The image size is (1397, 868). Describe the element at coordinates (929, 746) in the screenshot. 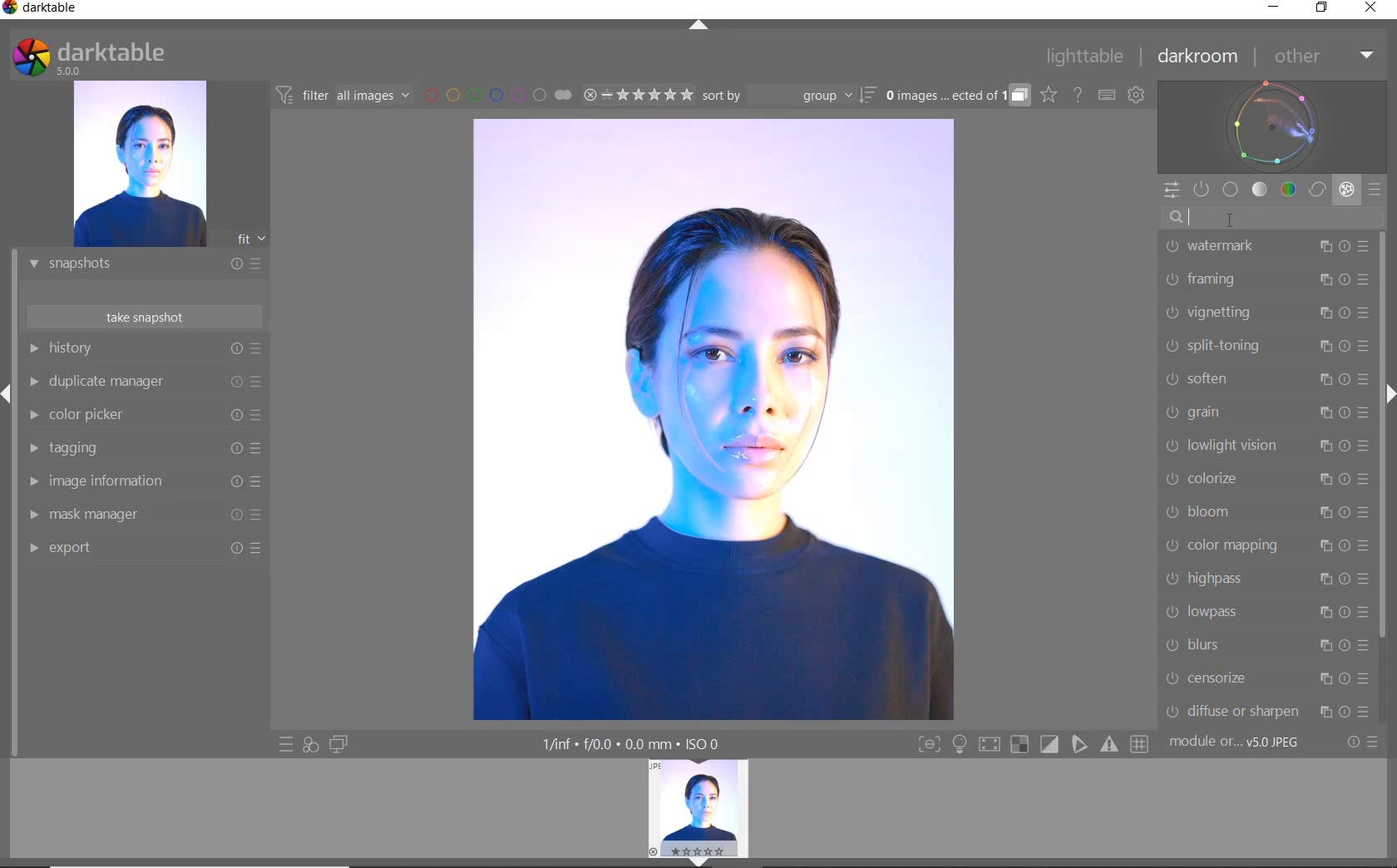

I see `Button` at that location.